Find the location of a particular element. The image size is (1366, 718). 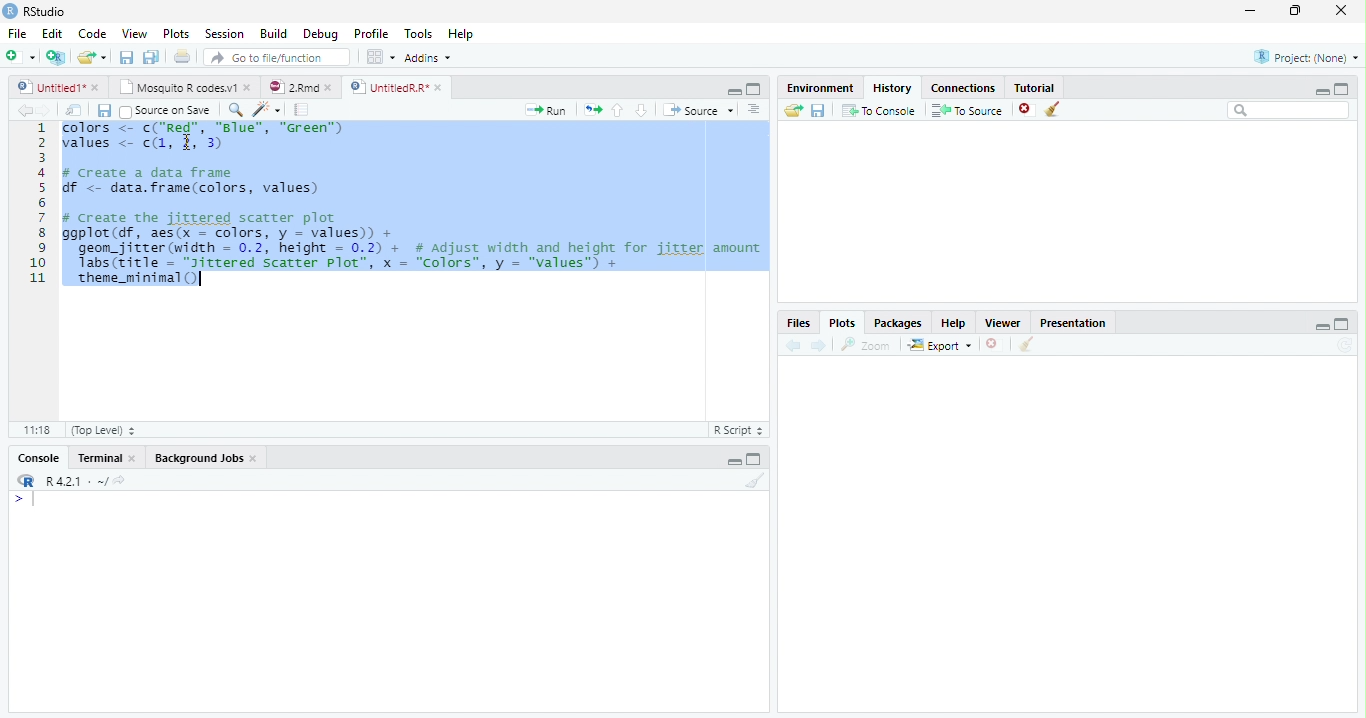

Background Jobs is located at coordinates (198, 457).